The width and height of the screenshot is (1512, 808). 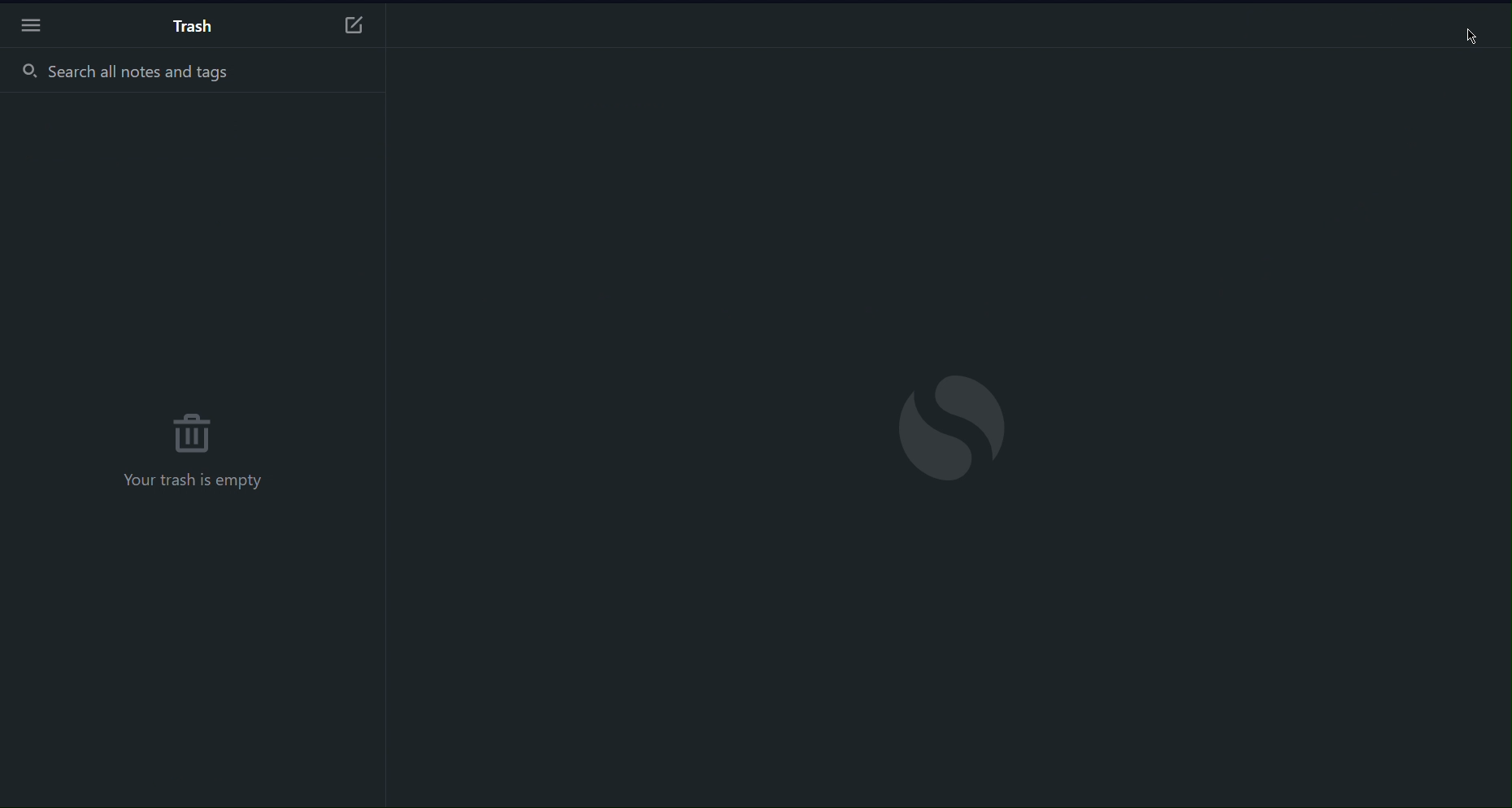 I want to click on trash logo, so click(x=193, y=430).